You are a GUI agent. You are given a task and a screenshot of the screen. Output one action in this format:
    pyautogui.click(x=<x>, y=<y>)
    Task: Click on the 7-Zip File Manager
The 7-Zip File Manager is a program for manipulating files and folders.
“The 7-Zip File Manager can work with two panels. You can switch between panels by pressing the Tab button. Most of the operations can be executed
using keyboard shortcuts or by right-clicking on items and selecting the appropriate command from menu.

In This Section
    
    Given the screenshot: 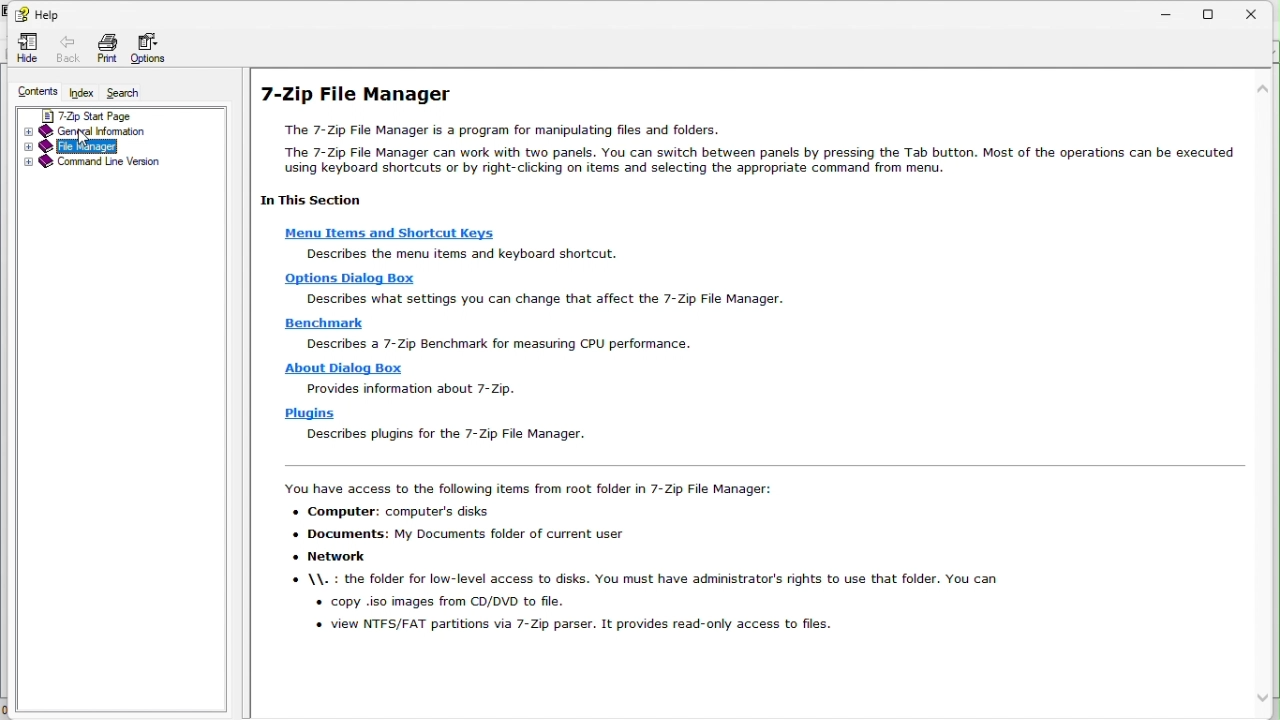 What is the action you would take?
    pyautogui.click(x=744, y=147)
    